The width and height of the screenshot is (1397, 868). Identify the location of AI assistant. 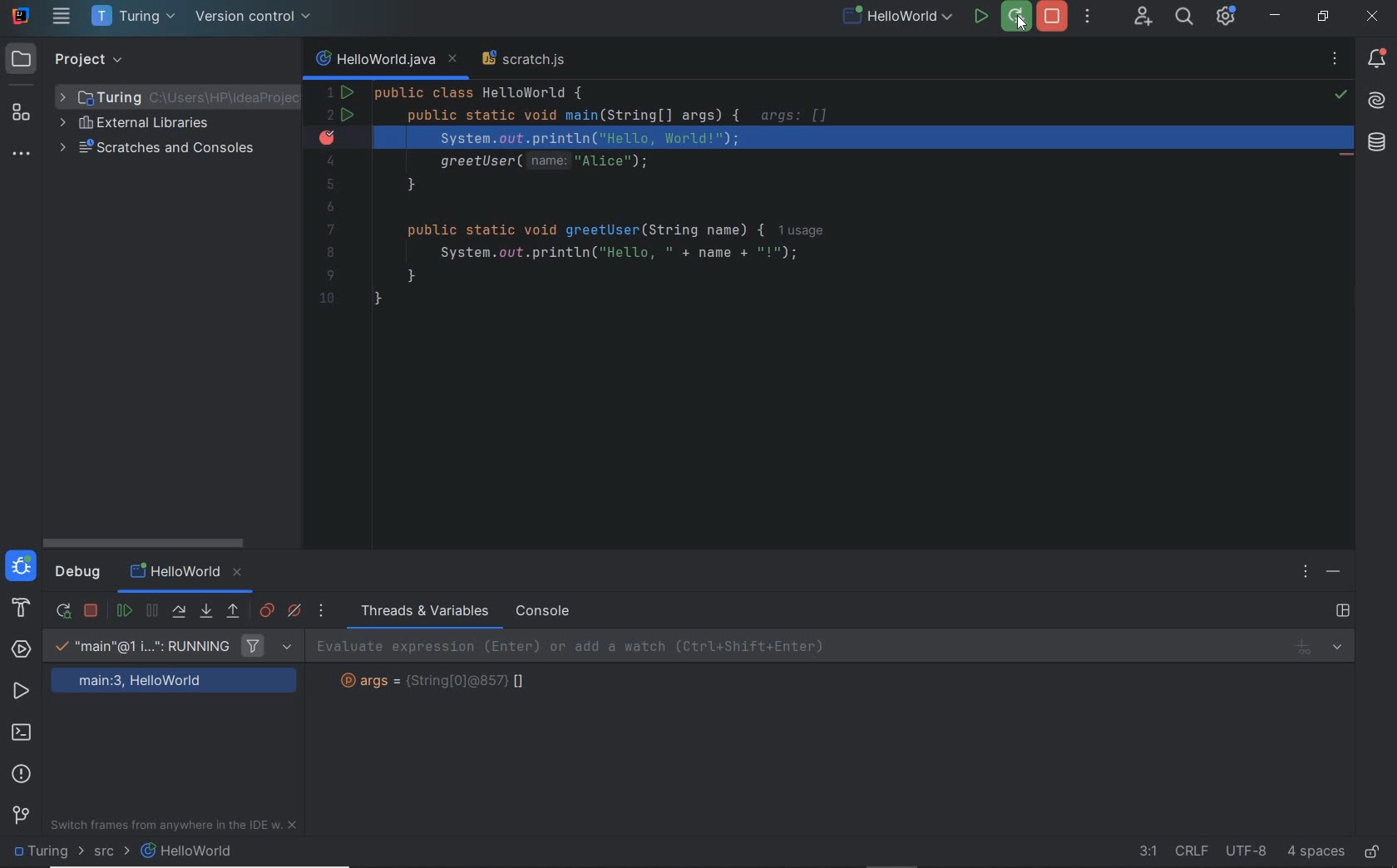
(1377, 101).